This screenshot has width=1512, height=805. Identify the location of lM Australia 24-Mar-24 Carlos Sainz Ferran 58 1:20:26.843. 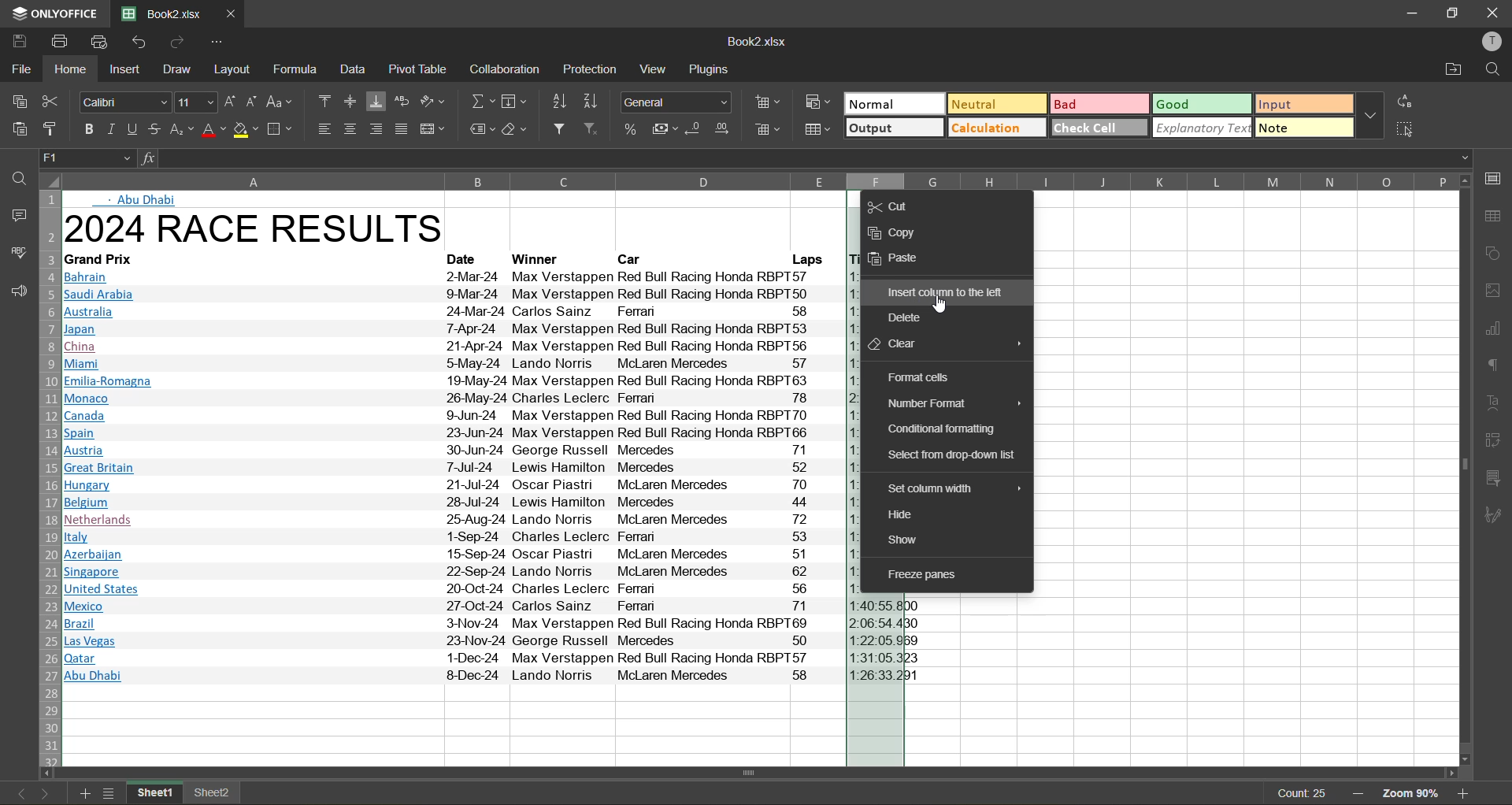
(454, 312).